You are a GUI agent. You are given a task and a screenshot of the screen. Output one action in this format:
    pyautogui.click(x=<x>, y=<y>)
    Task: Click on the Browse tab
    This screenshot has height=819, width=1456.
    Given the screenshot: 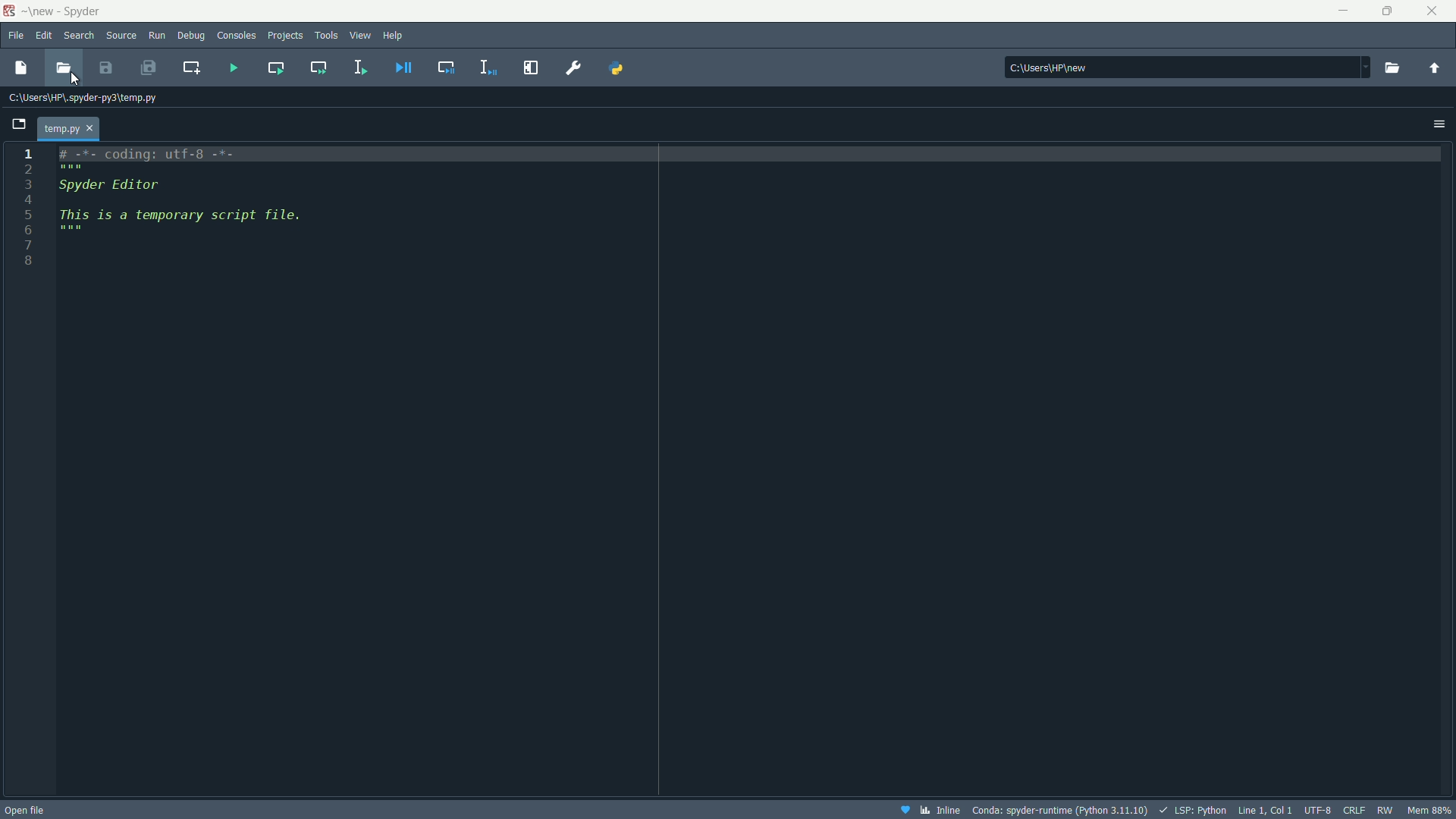 What is the action you would take?
    pyautogui.click(x=278, y=123)
    